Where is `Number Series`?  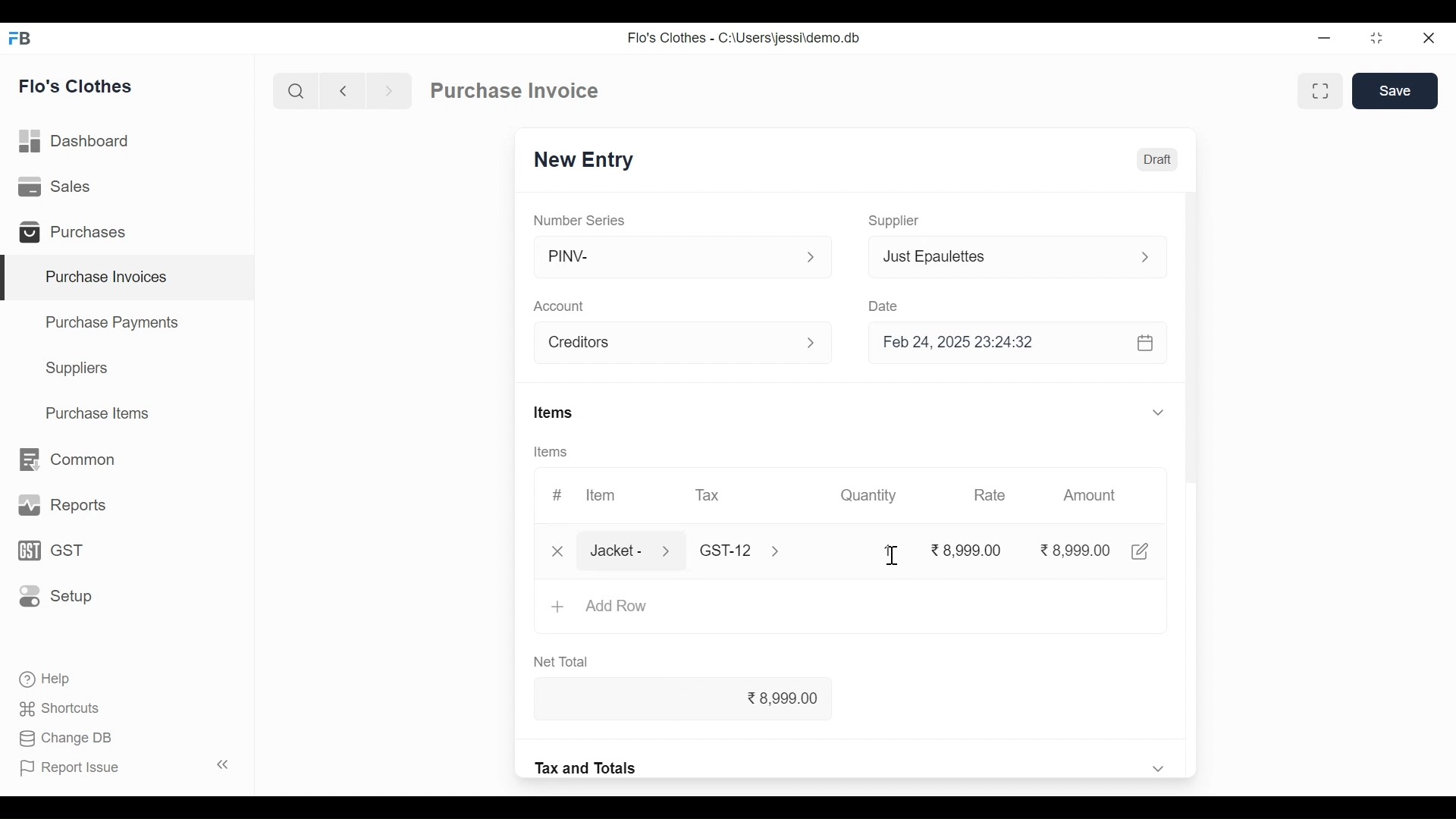 Number Series is located at coordinates (580, 219).